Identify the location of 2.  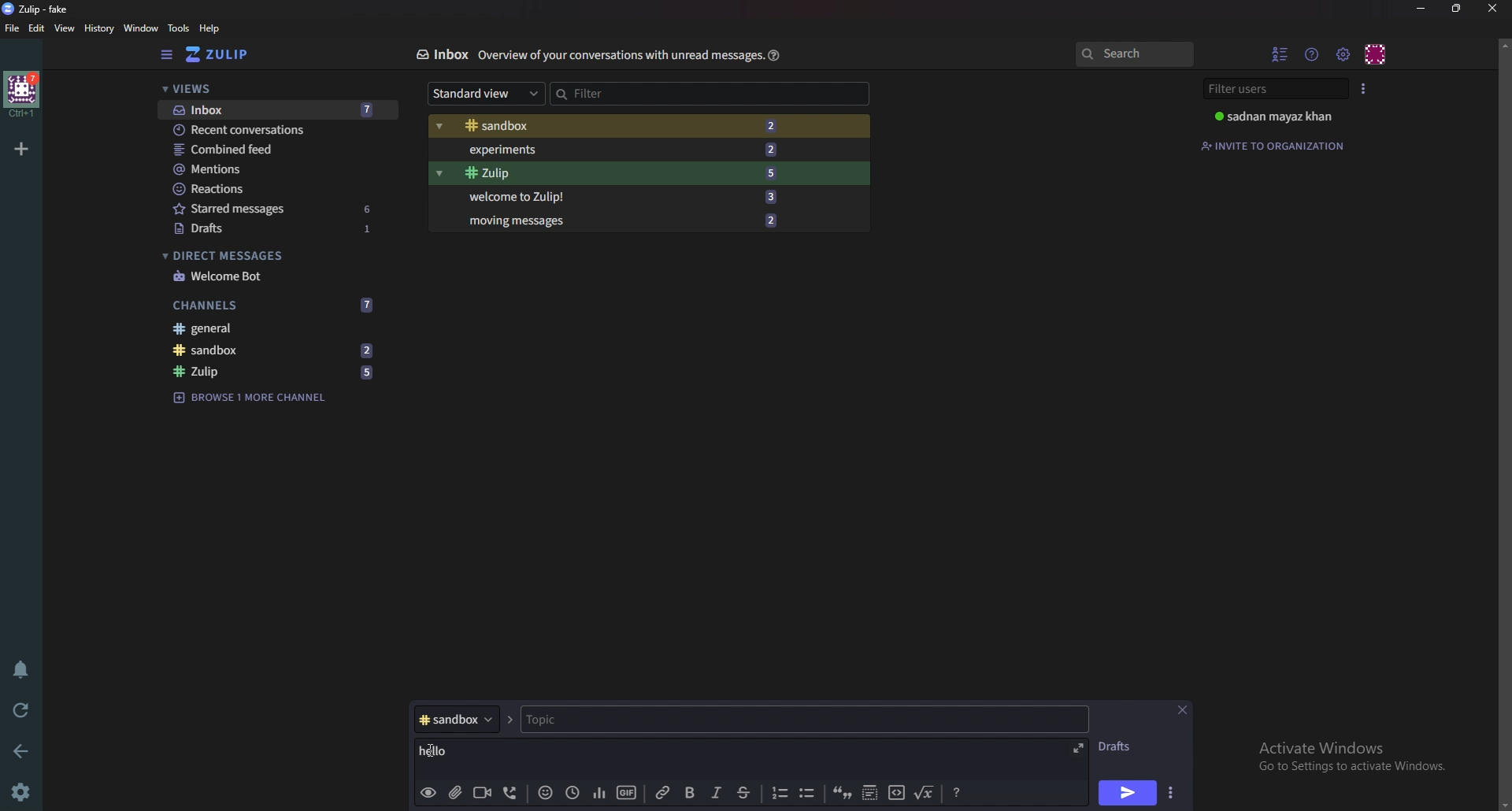
(370, 350).